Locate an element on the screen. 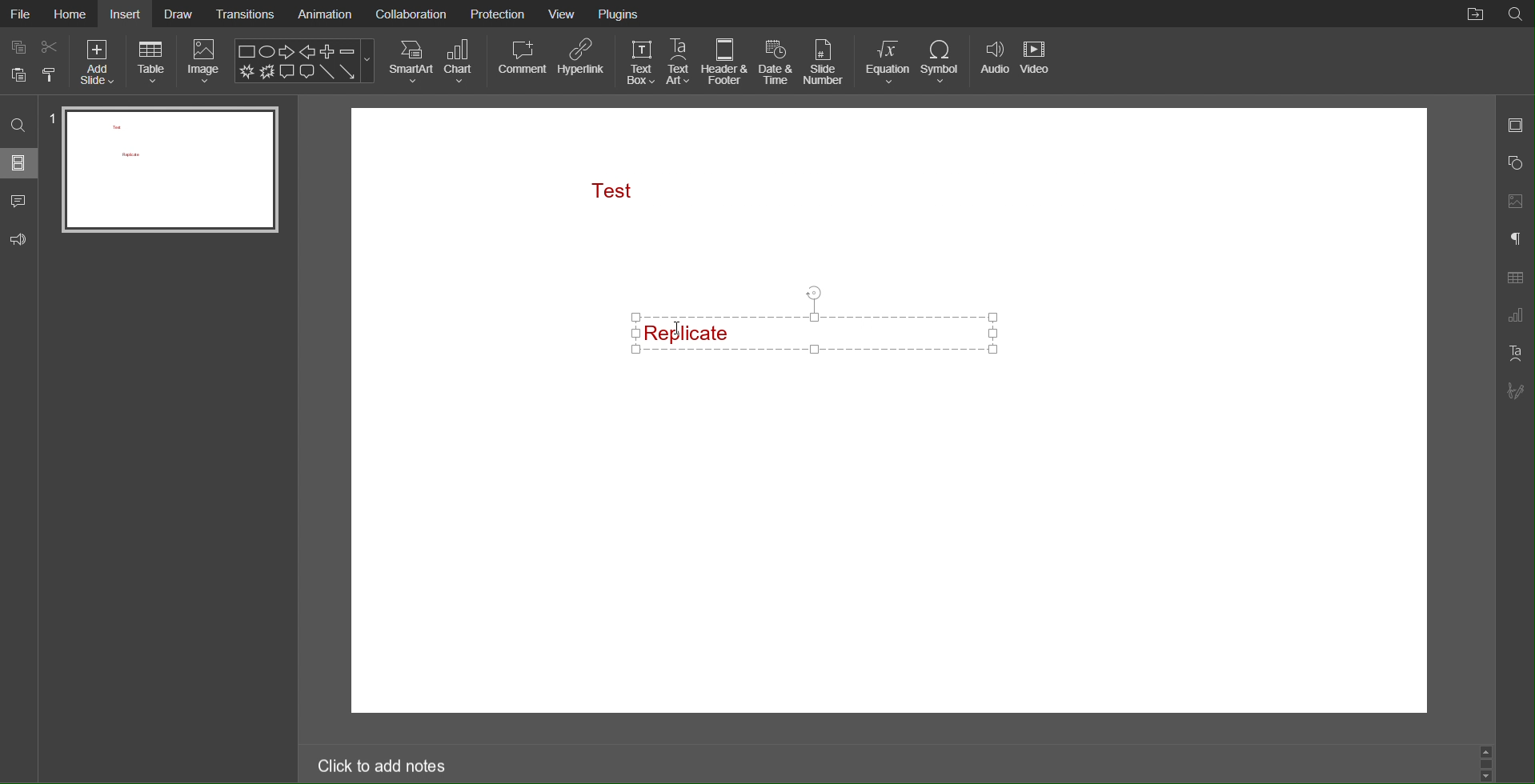 This screenshot has width=1535, height=784. Shape Menu is located at coordinates (305, 61).